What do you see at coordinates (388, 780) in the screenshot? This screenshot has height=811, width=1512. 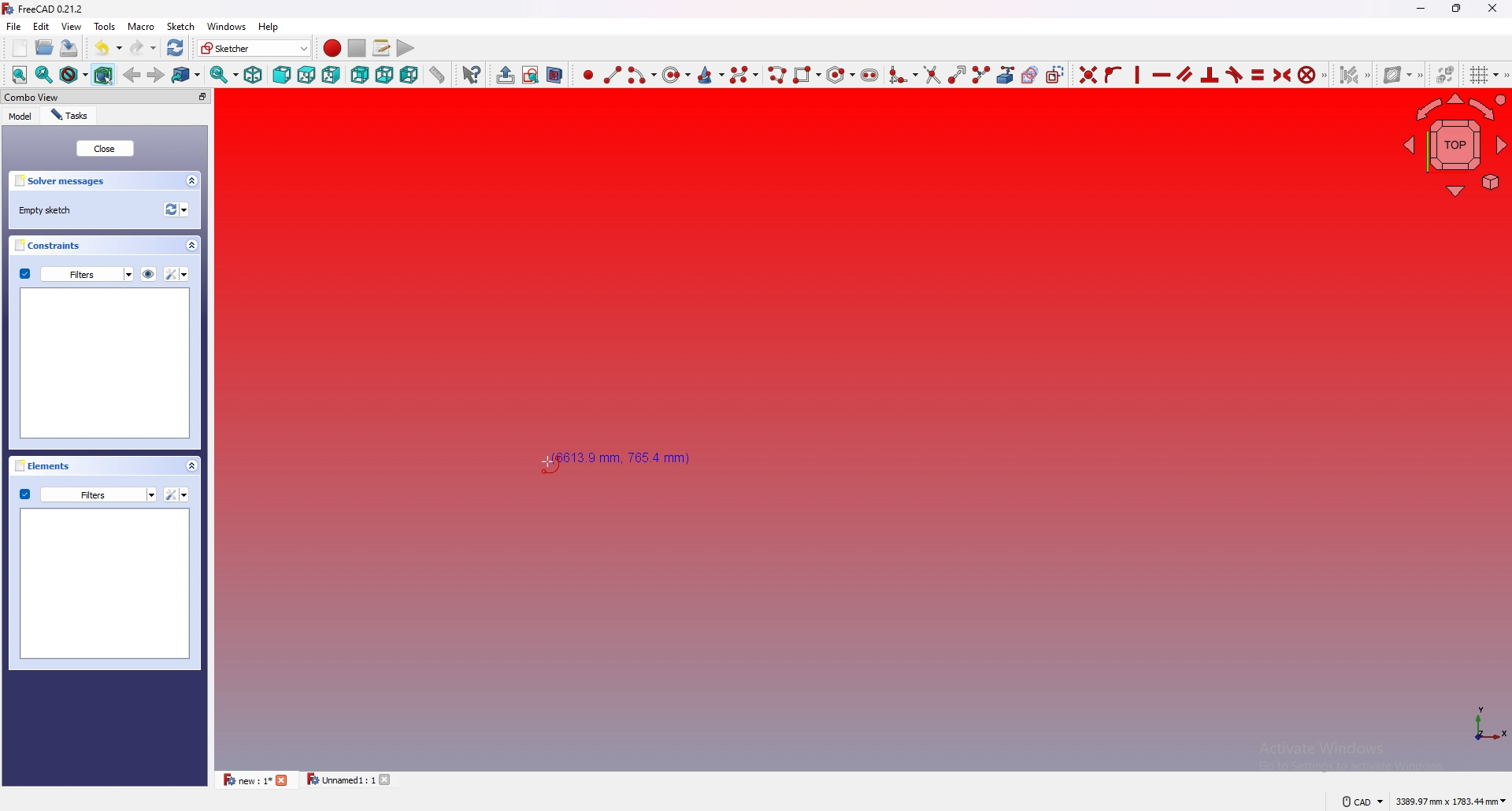 I see `close` at bounding box center [388, 780].